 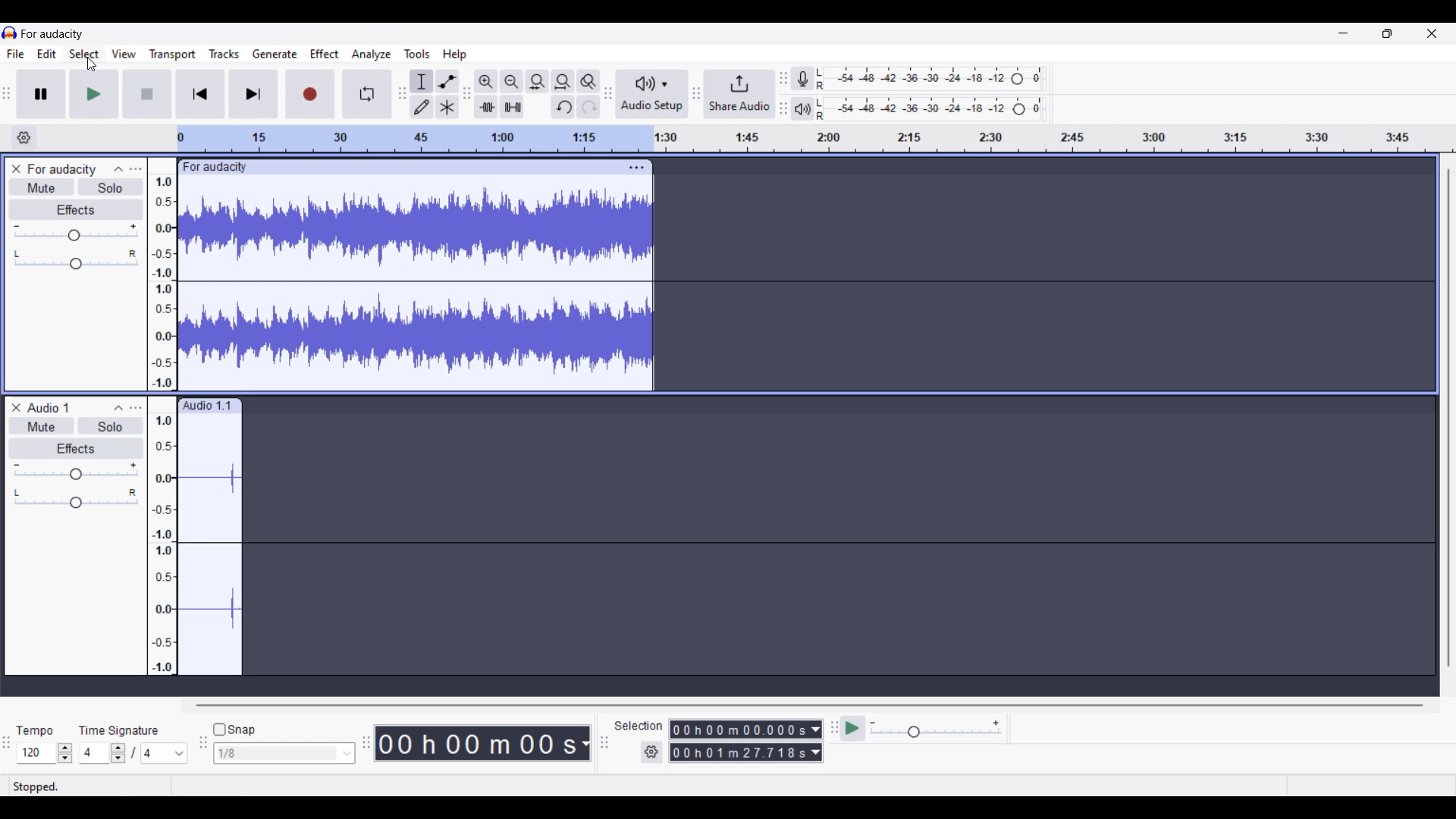 What do you see at coordinates (487, 107) in the screenshot?
I see `Trim audio outside selection` at bounding box center [487, 107].